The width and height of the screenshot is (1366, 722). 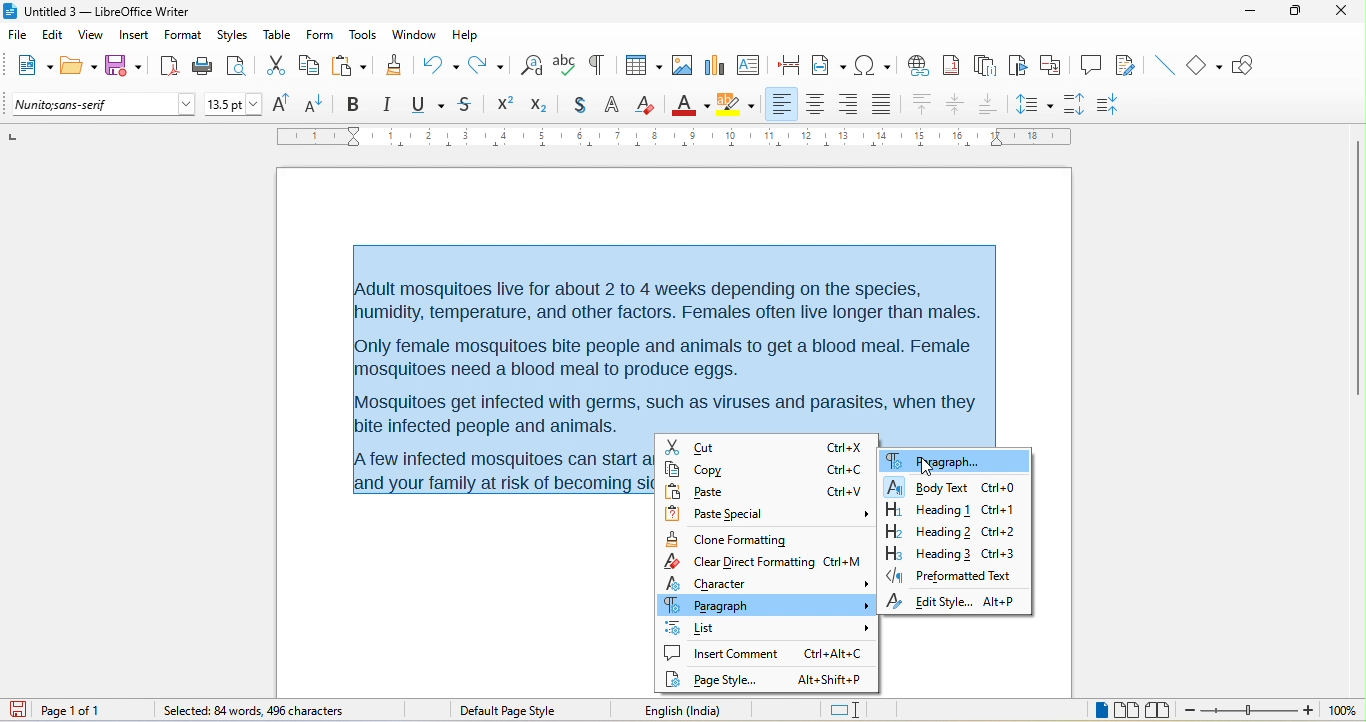 I want to click on special character, so click(x=872, y=64).